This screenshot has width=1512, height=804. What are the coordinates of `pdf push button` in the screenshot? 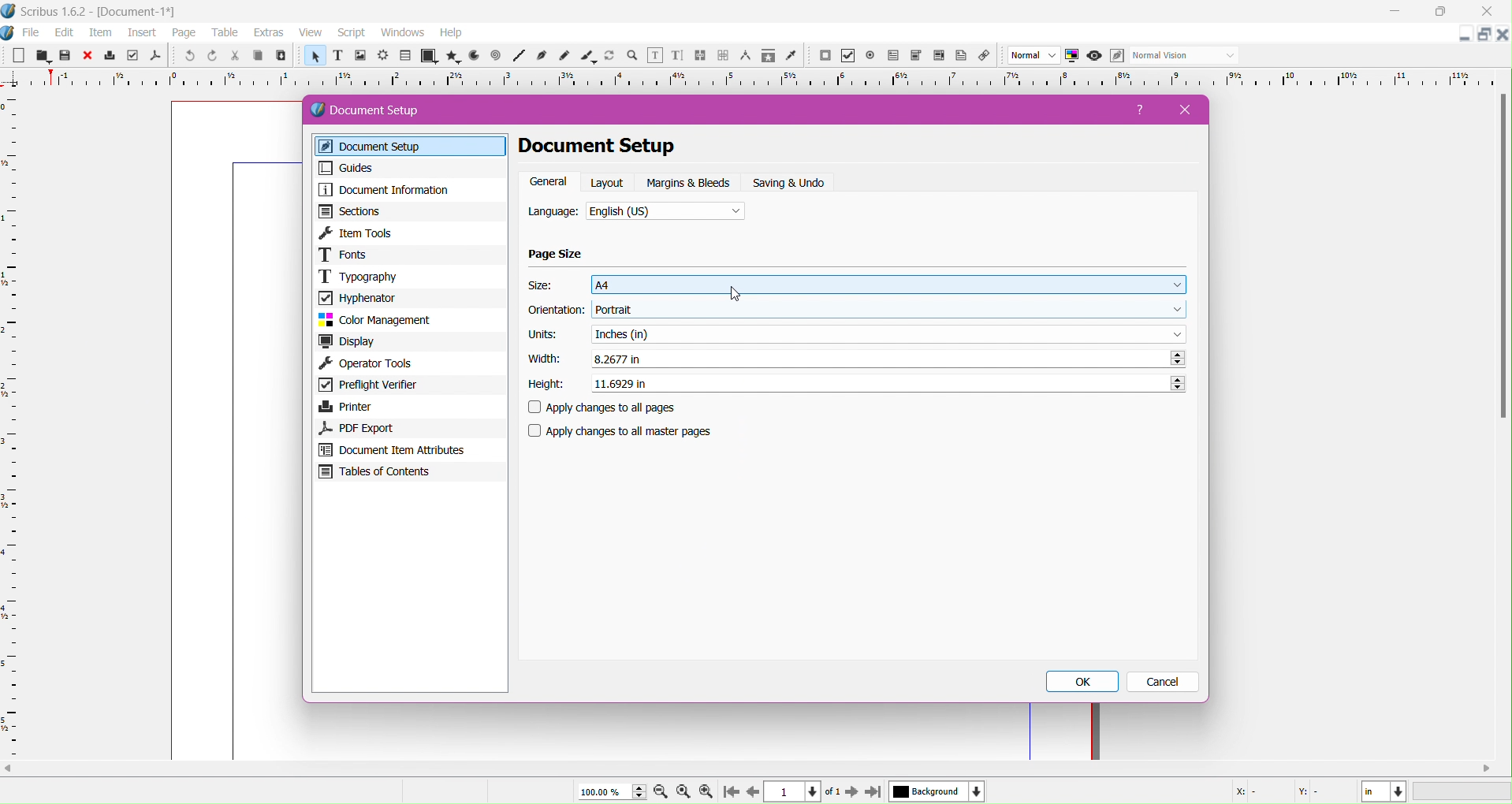 It's located at (825, 56).